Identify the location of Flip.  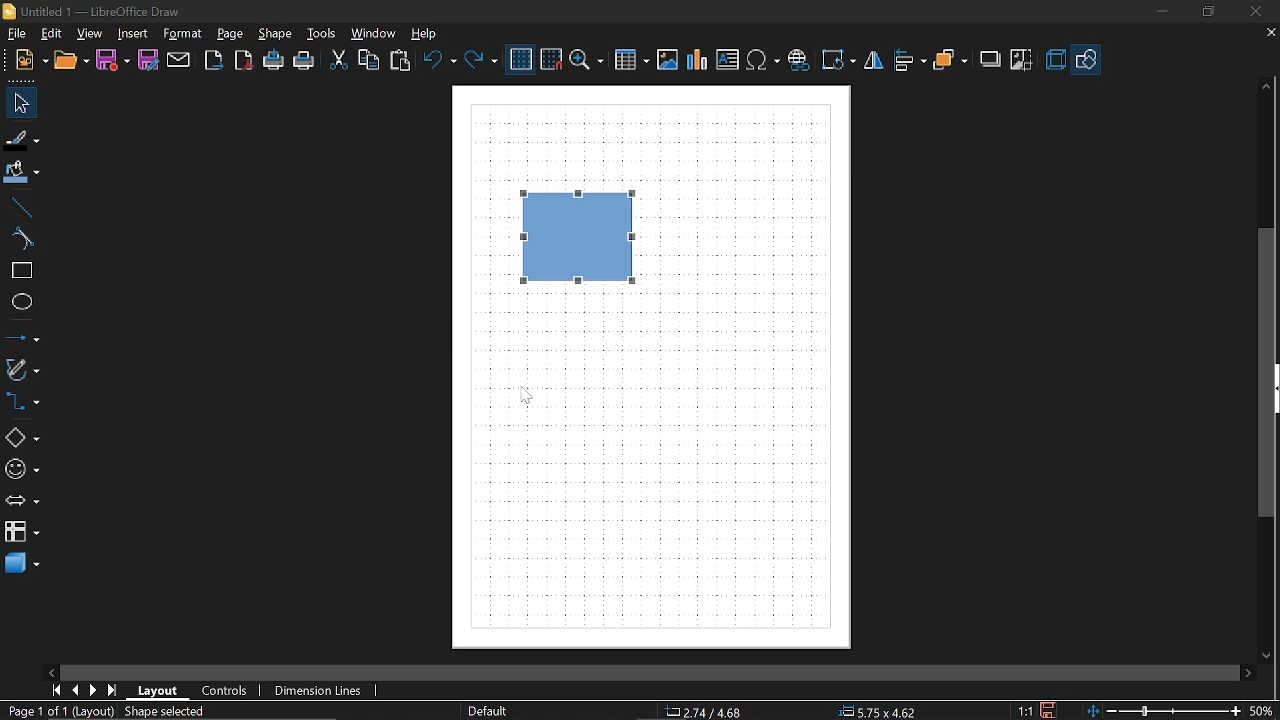
(876, 61).